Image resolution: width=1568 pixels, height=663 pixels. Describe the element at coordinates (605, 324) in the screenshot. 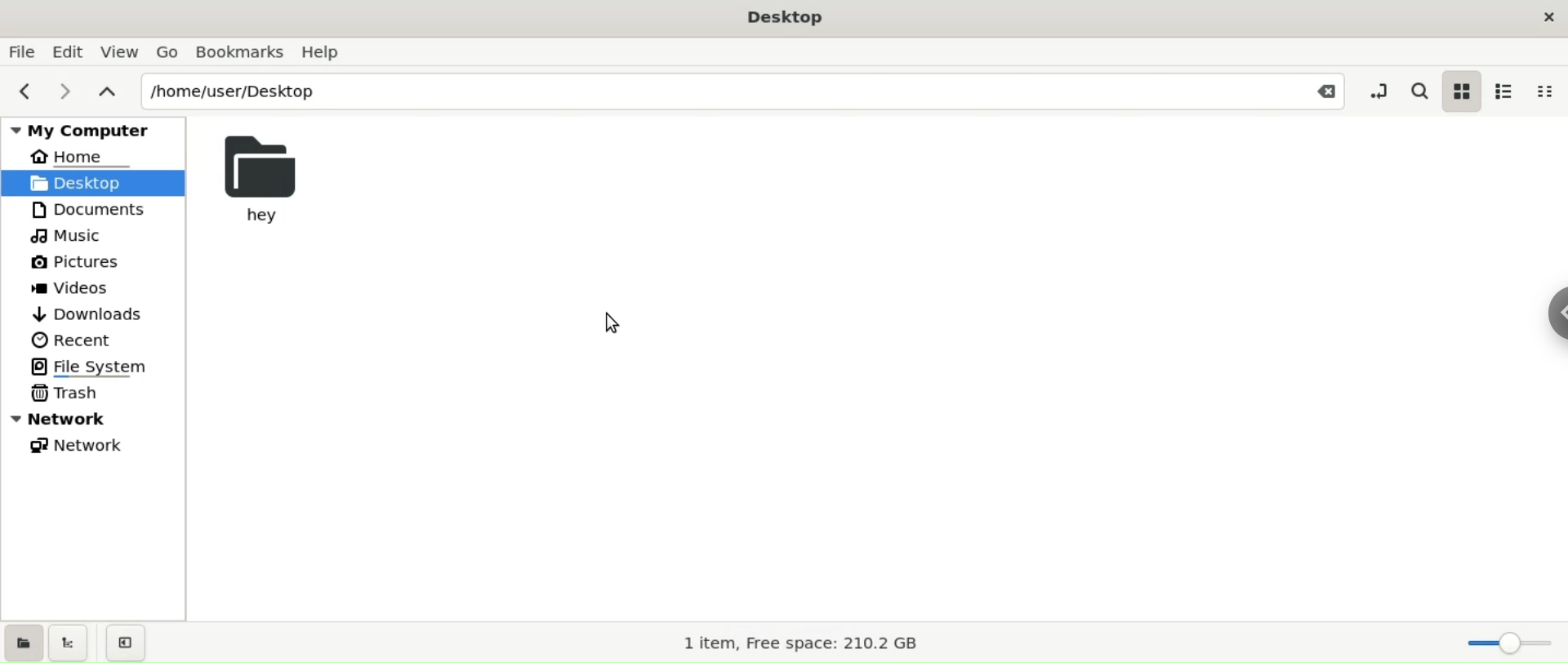

I see `cursor` at that location.